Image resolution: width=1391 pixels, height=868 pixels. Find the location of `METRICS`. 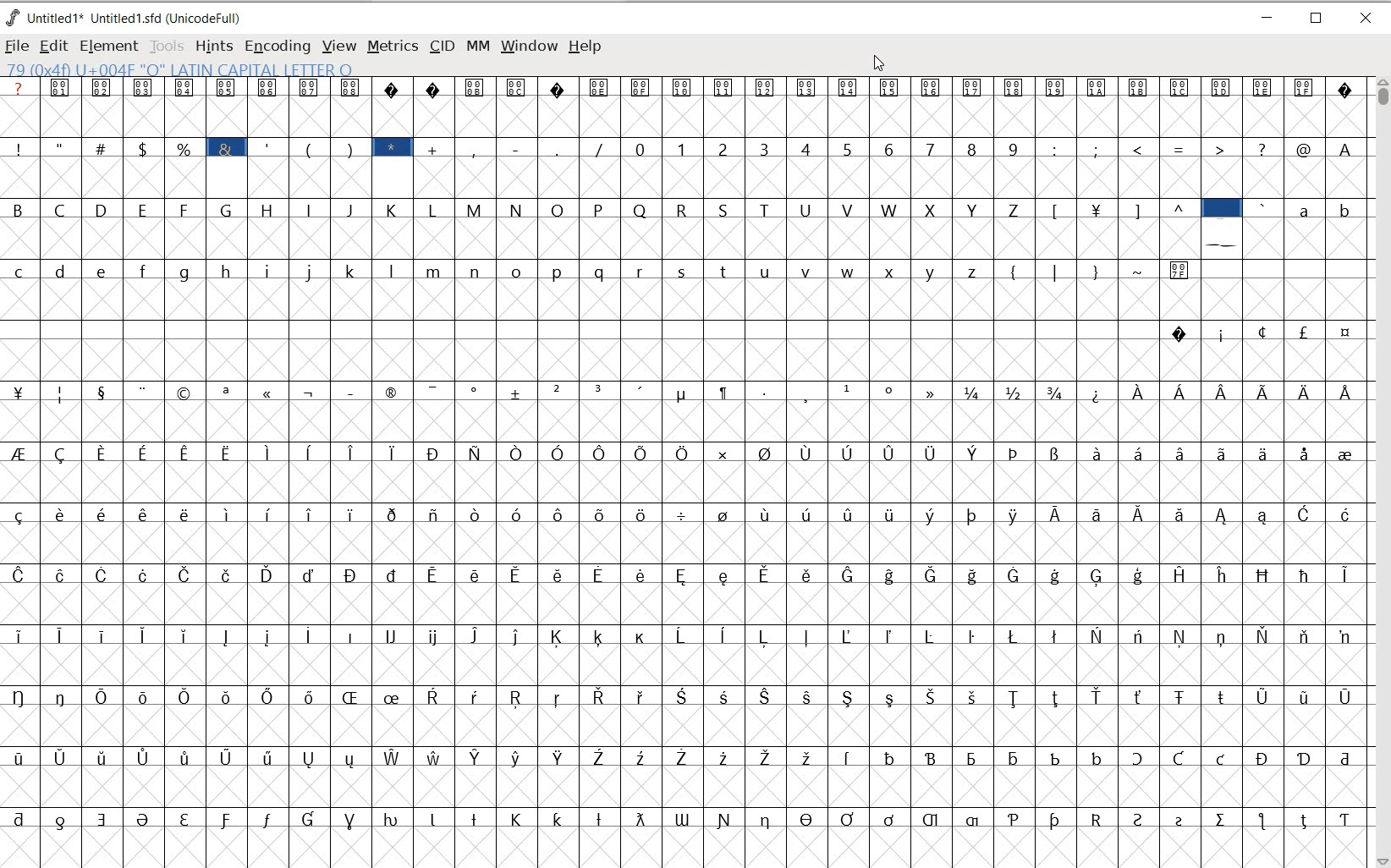

METRICS is located at coordinates (392, 46).